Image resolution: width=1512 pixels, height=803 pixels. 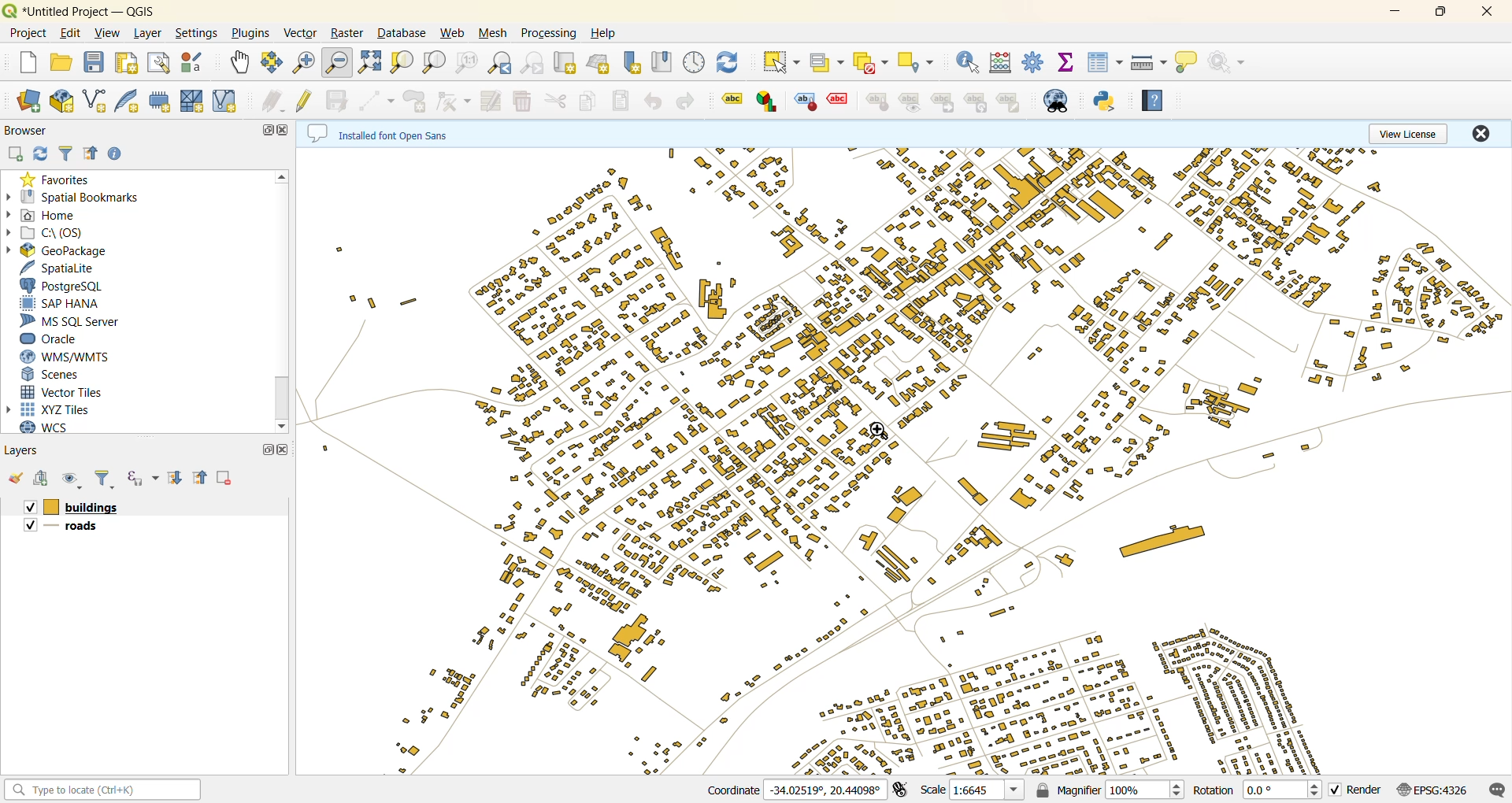 What do you see at coordinates (65, 103) in the screenshot?
I see `new geopackage layer` at bounding box center [65, 103].